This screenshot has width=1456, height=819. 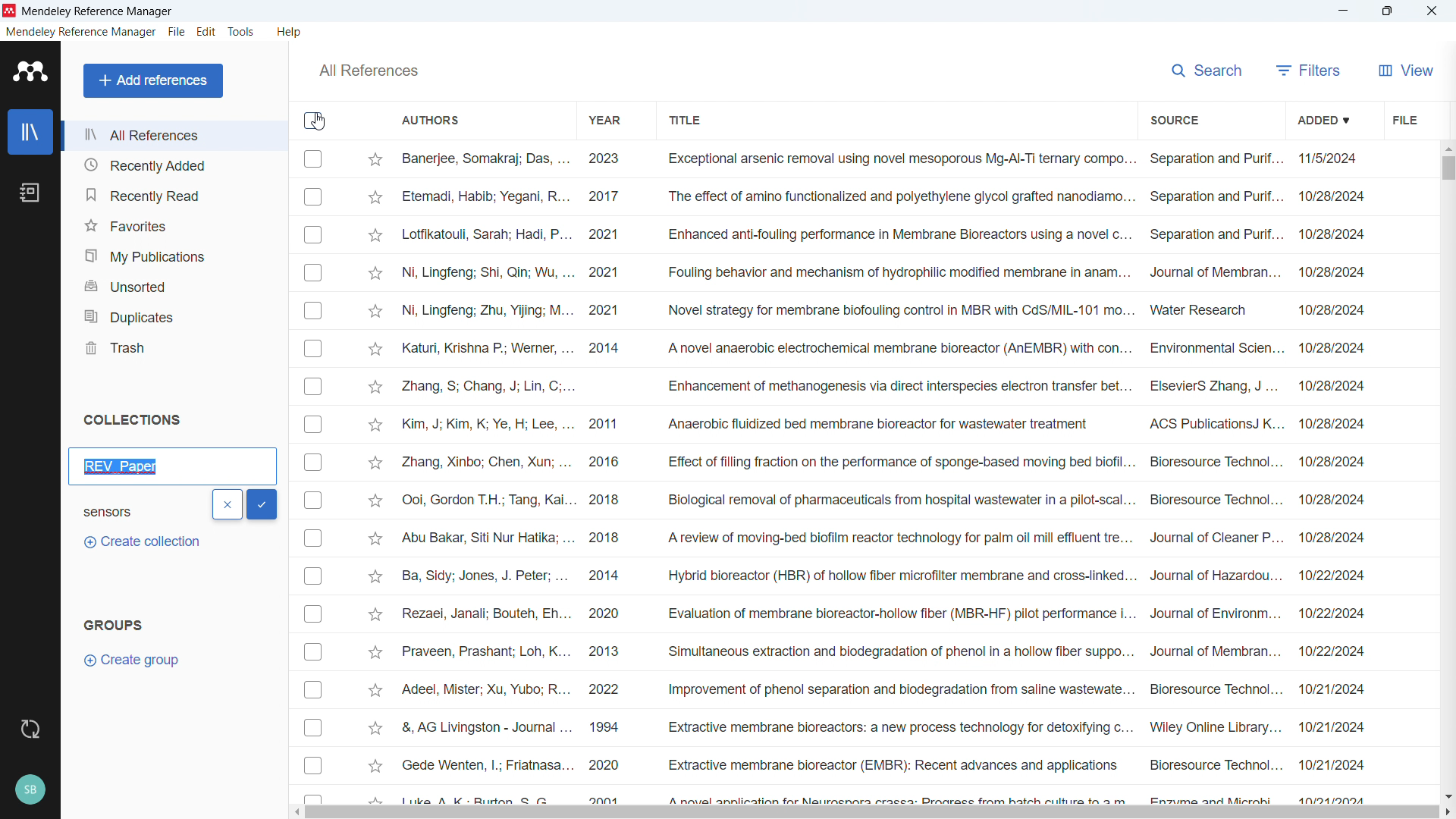 I want to click on File , so click(x=177, y=31).